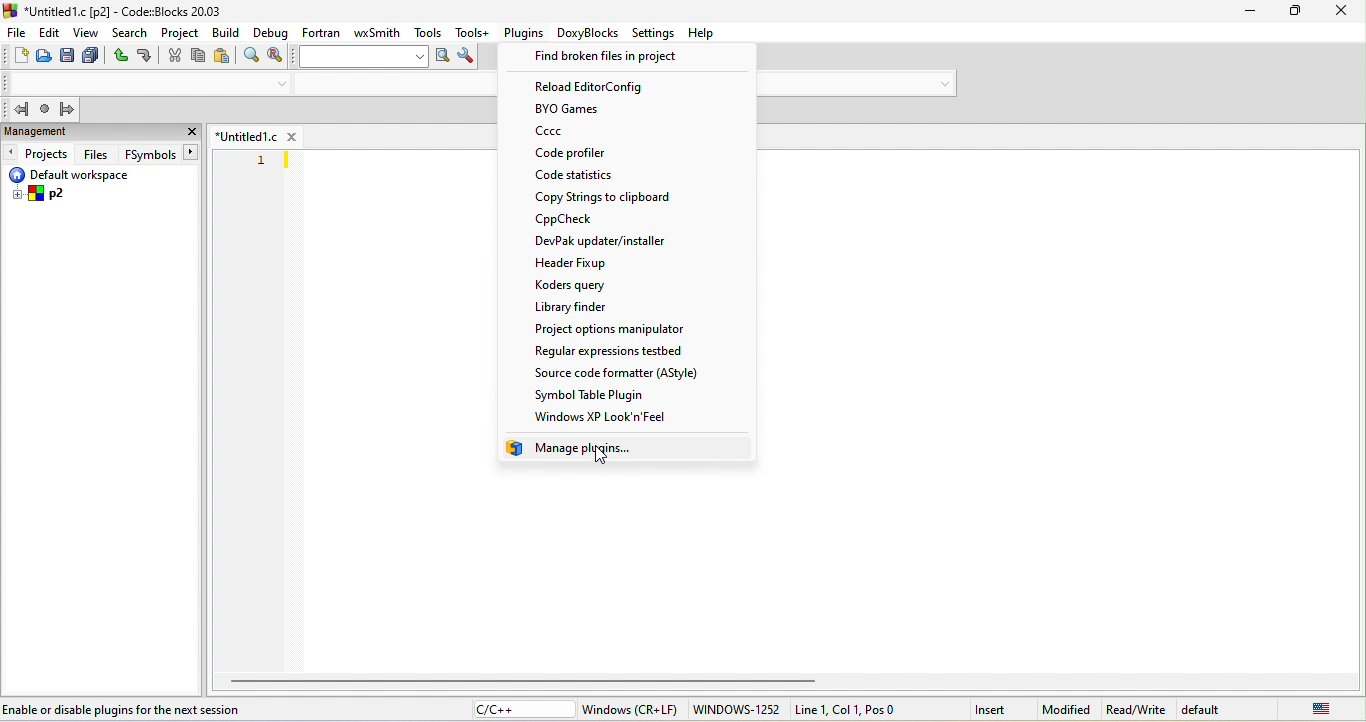  Describe the element at coordinates (626, 351) in the screenshot. I see `regular expressions testbed` at that location.